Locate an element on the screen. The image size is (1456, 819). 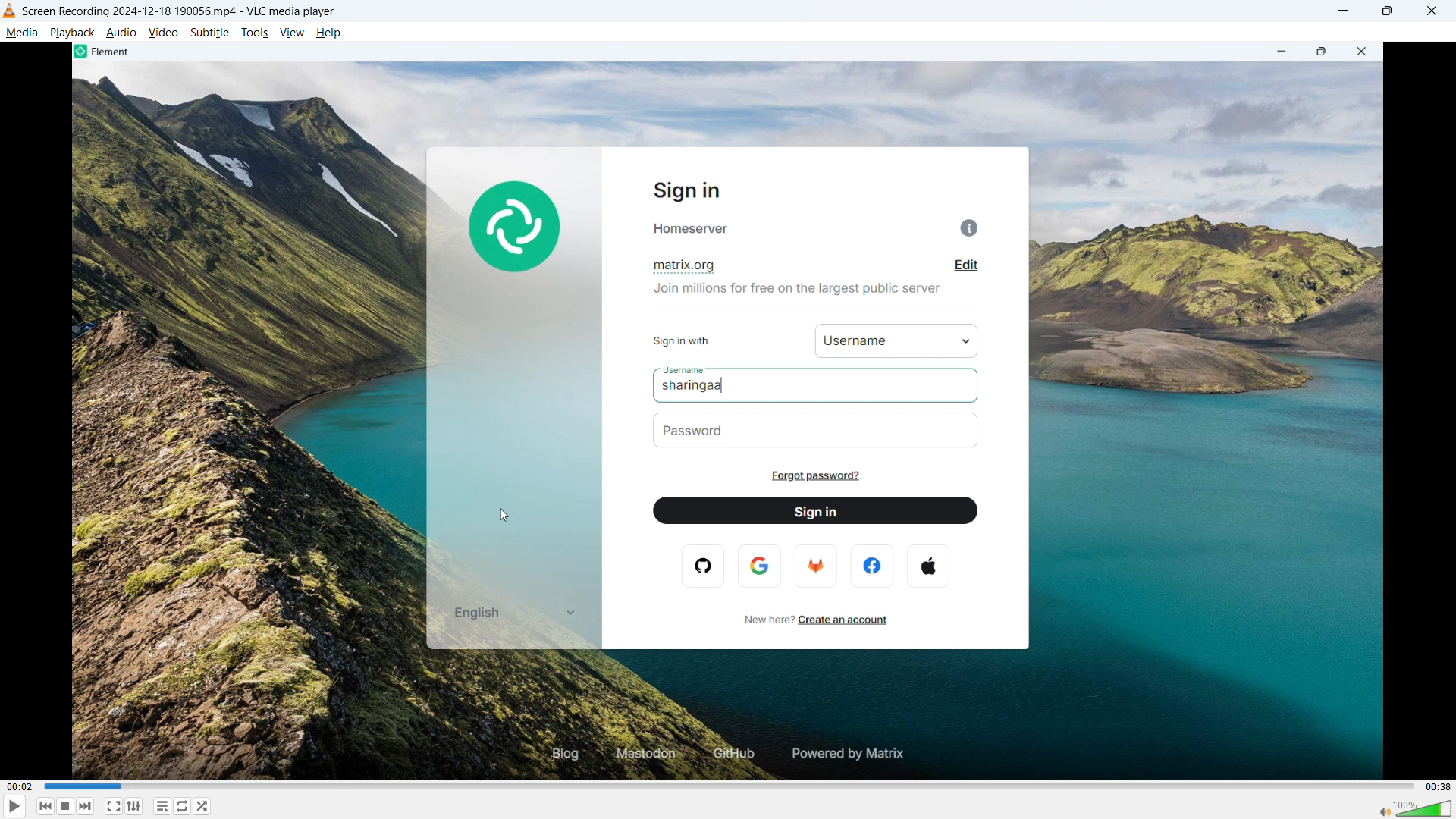
00:30 is located at coordinates (1436, 786).